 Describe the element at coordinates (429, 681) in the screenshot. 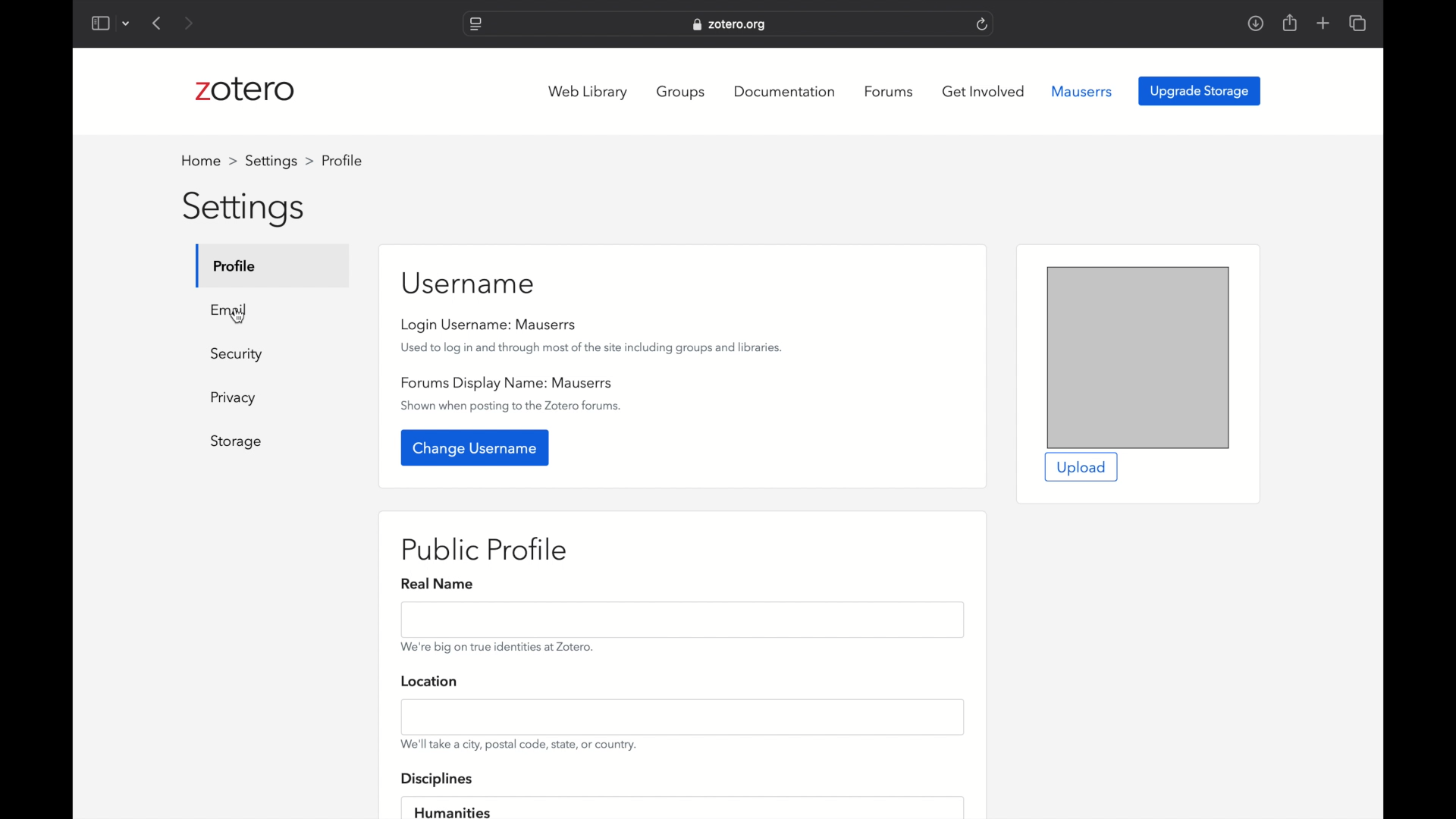

I see `location` at that location.